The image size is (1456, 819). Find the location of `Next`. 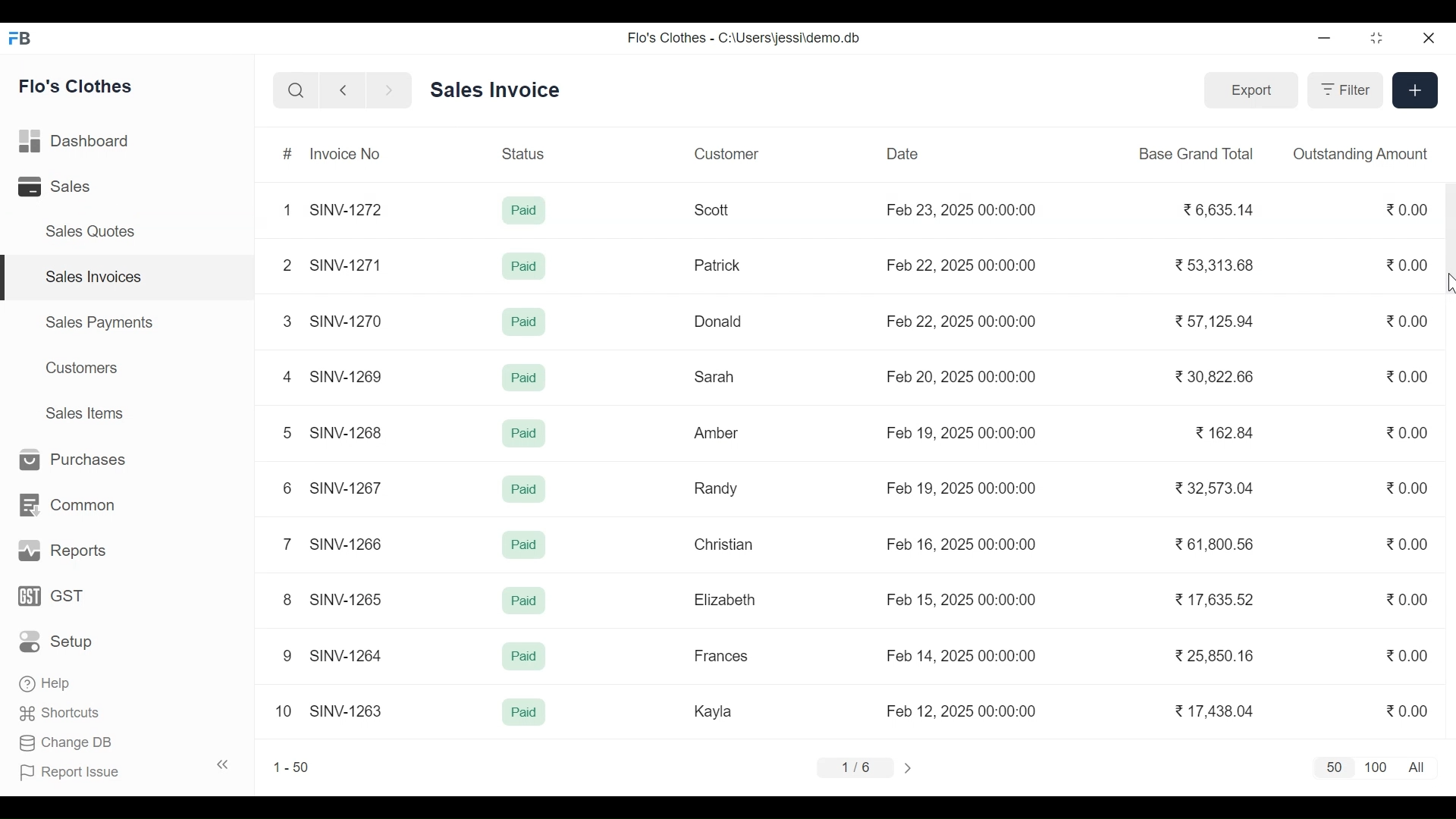

Next is located at coordinates (911, 767).